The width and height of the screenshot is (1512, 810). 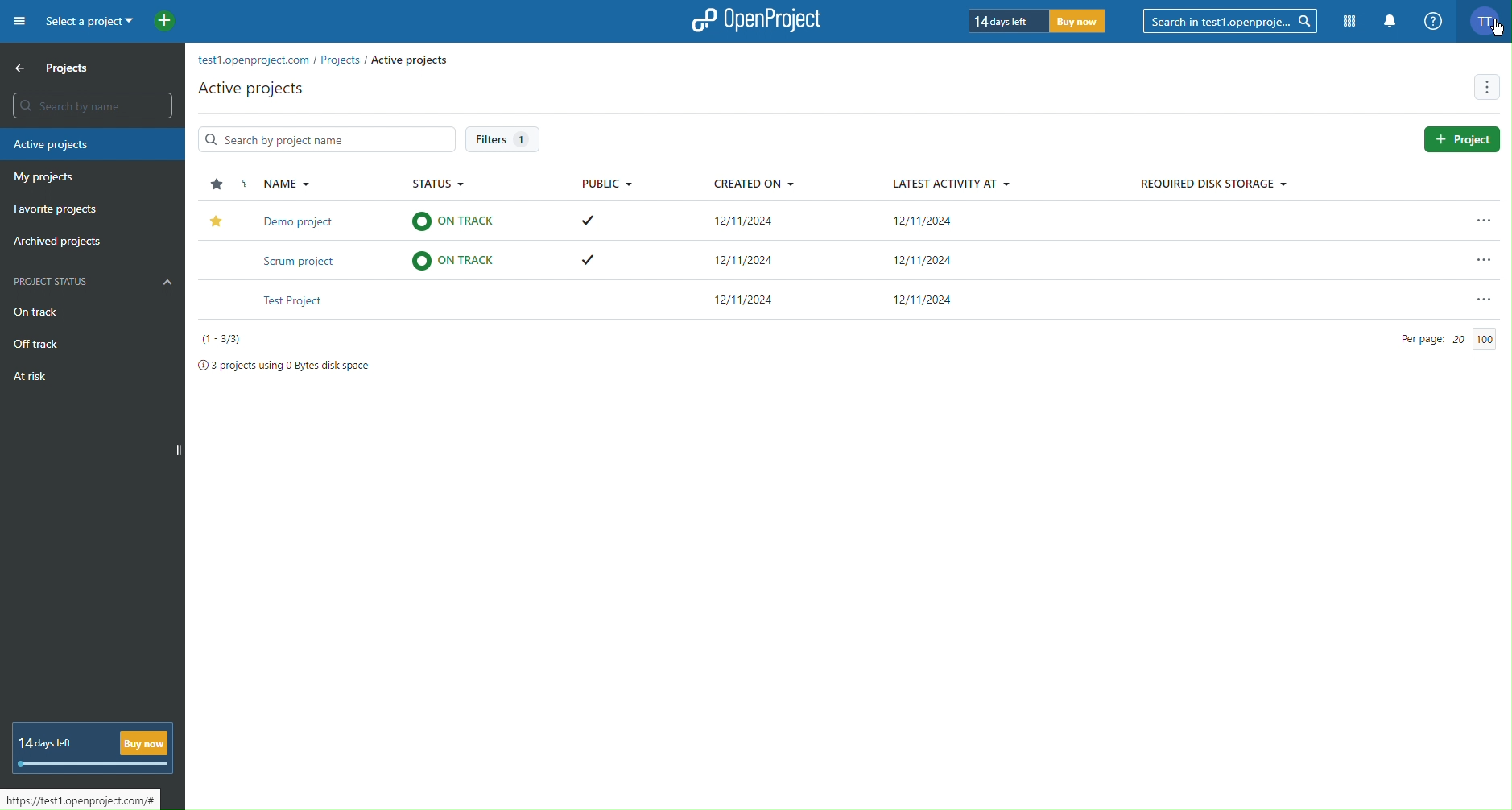 What do you see at coordinates (299, 301) in the screenshot?
I see `Text Project` at bounding box center [299, 301].